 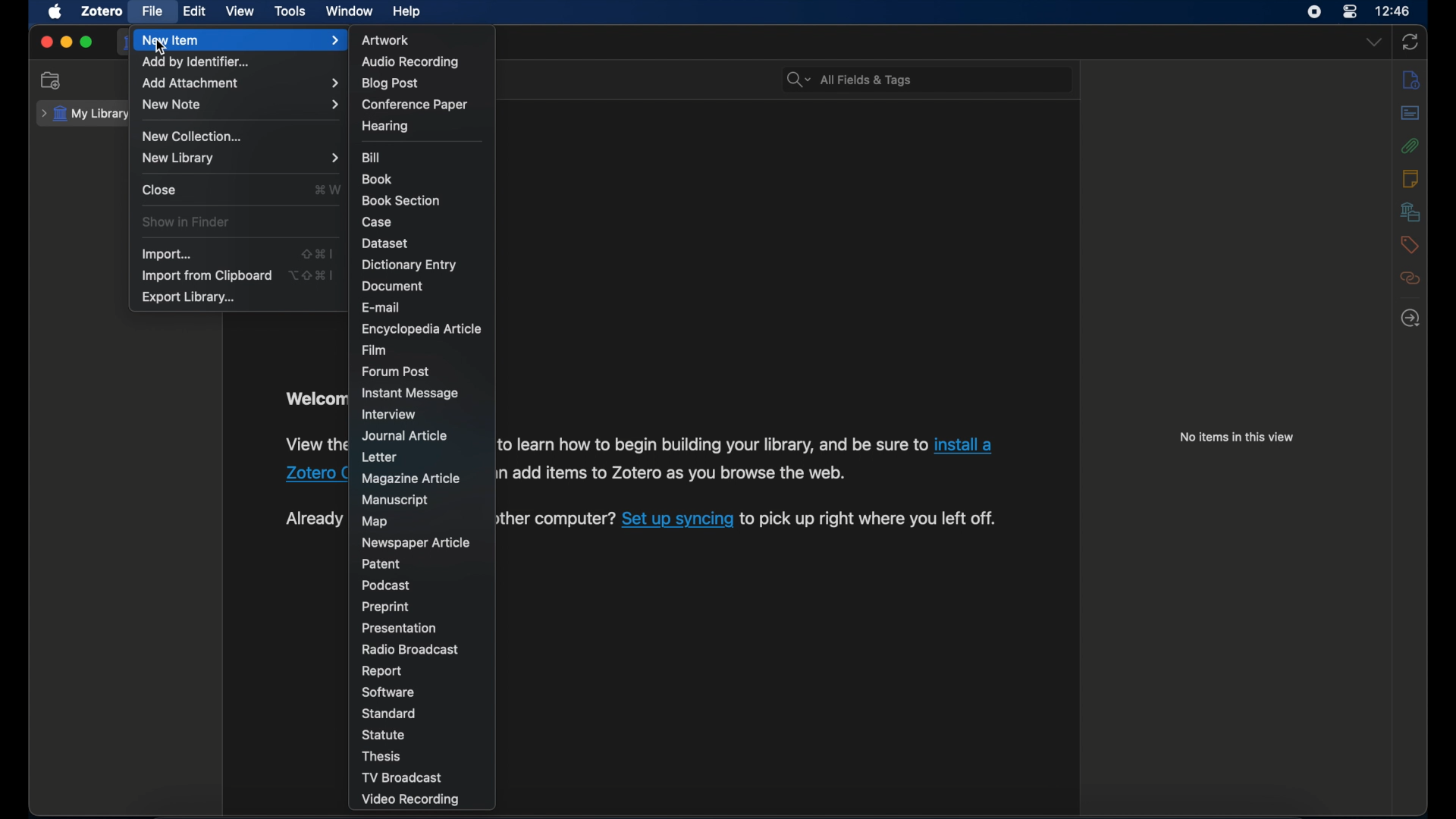 I want to click on show in finder, so click(x=187, y=222).